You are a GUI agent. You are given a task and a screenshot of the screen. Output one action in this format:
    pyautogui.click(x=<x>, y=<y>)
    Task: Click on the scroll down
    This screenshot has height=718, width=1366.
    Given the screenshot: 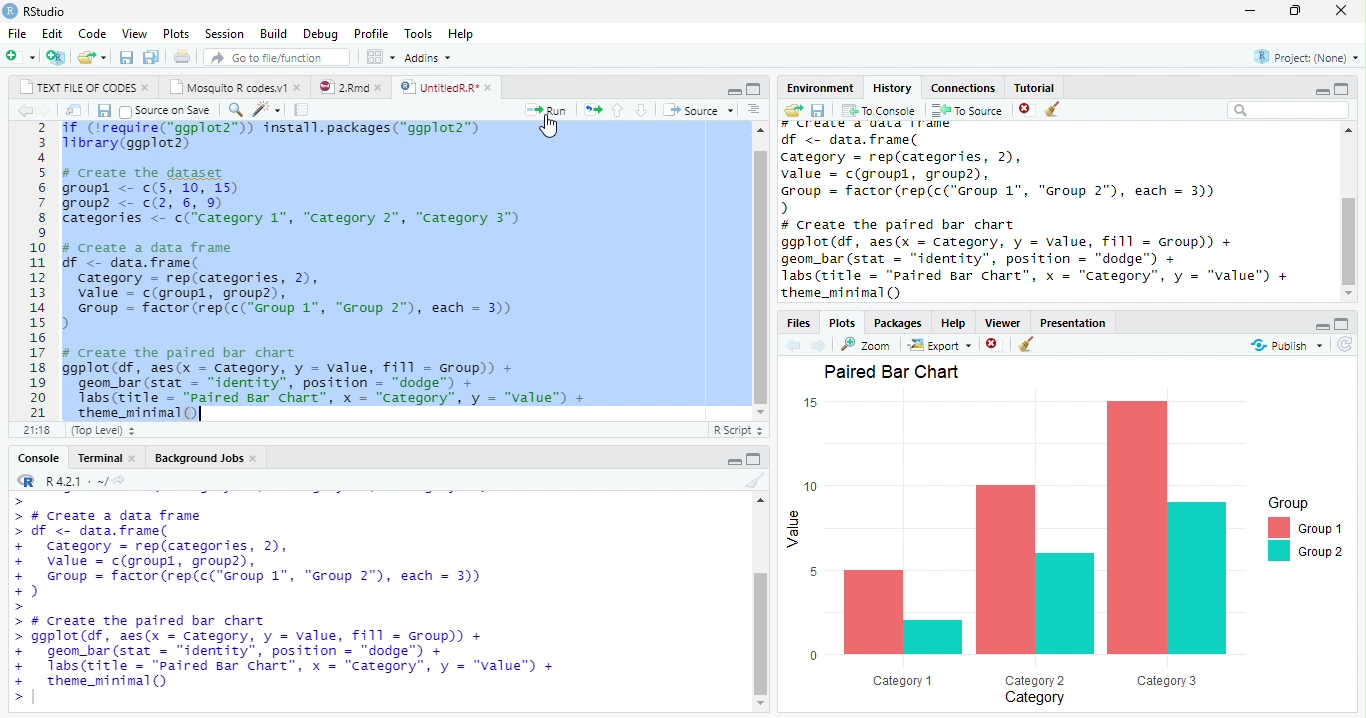 What is the action you would take?
    pyautogui.click(x=762, y=704)
    